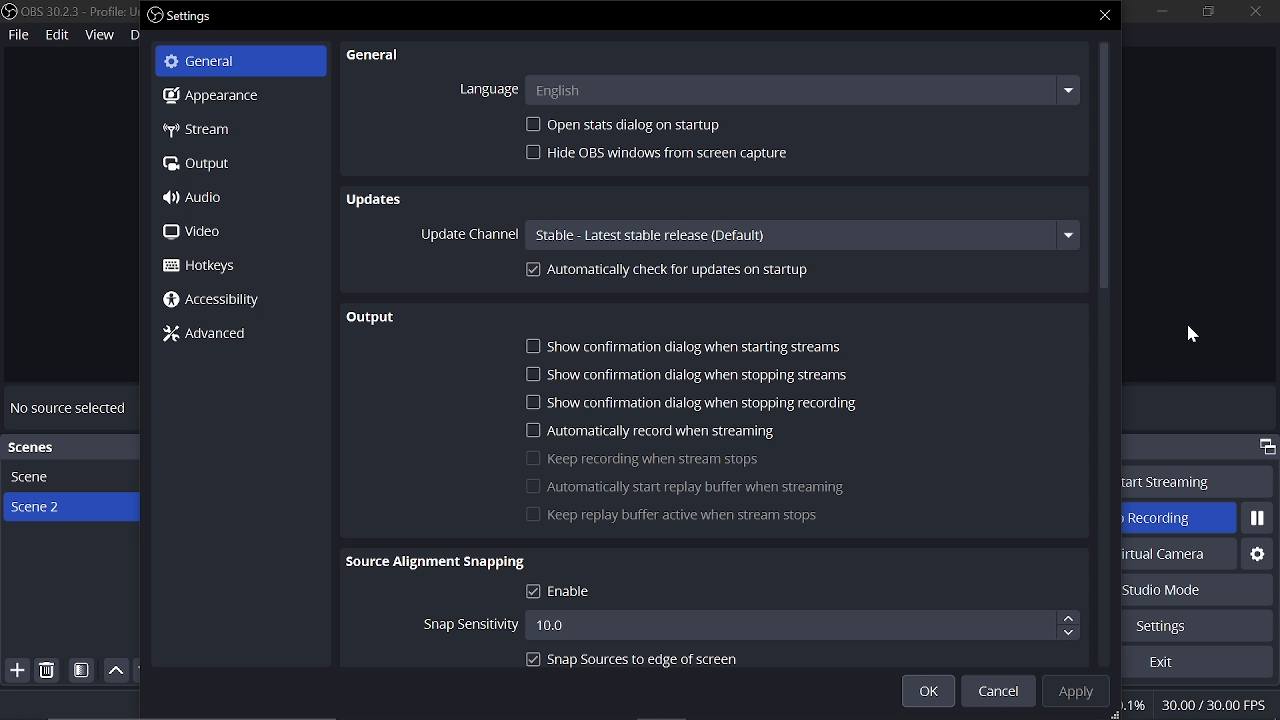  Describe the element at coordinates (69, 408) in the screenshot. I see `No source selected` at that location.